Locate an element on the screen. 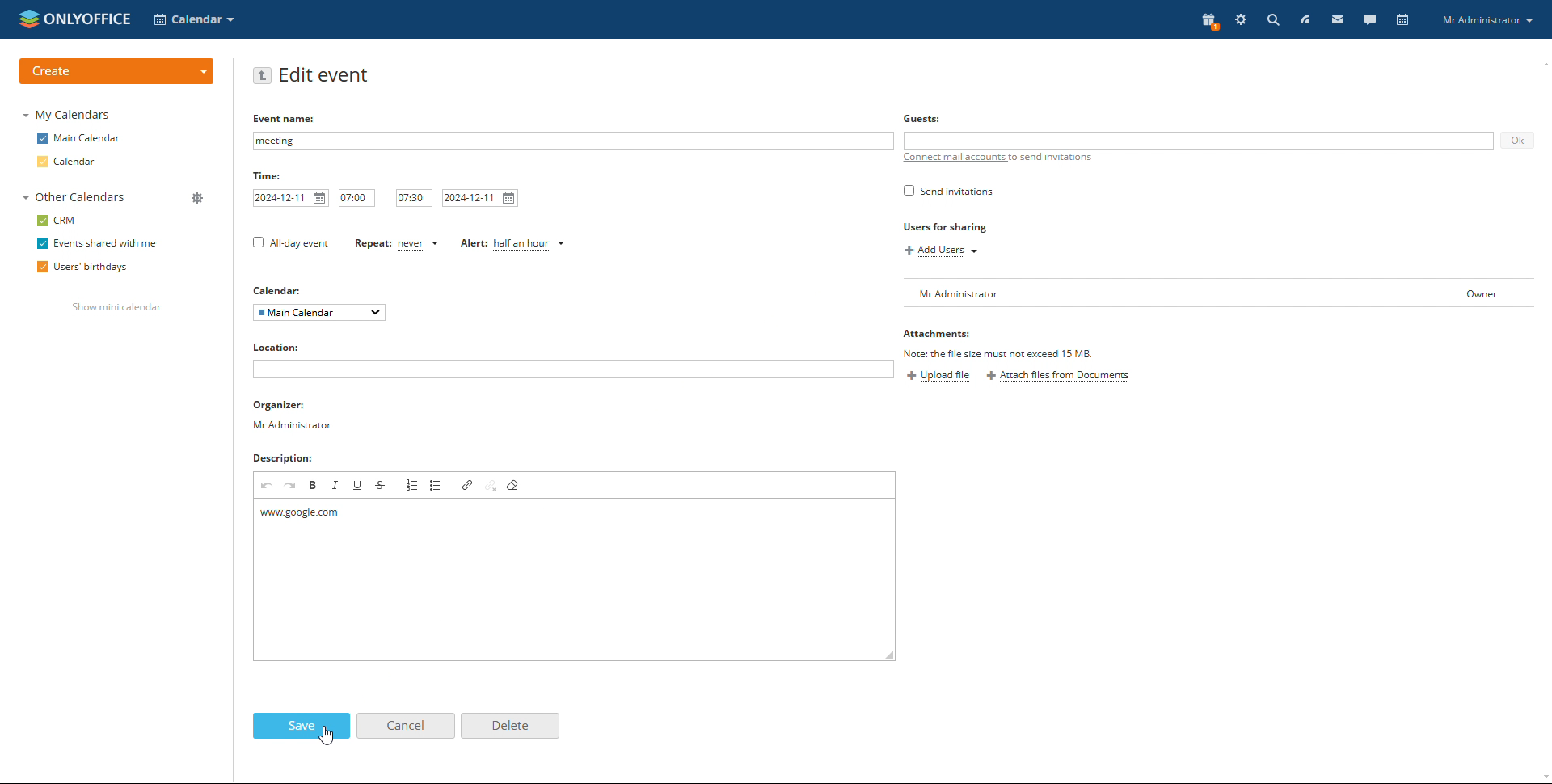  link is located at coordinates (468, 485).